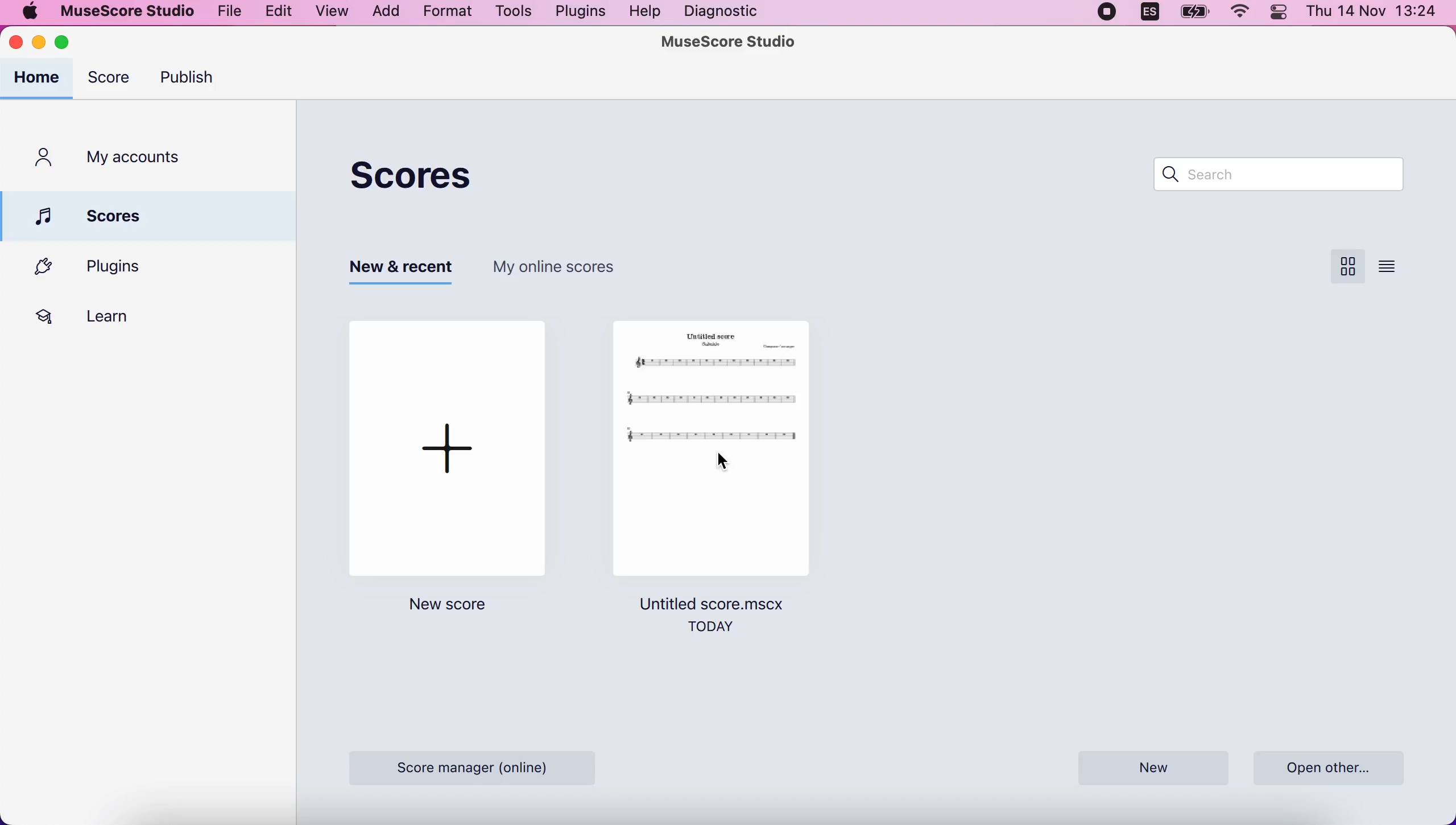 This screenshot has width=1456, height=825. I want to click on panel control, so click(1277, 14).